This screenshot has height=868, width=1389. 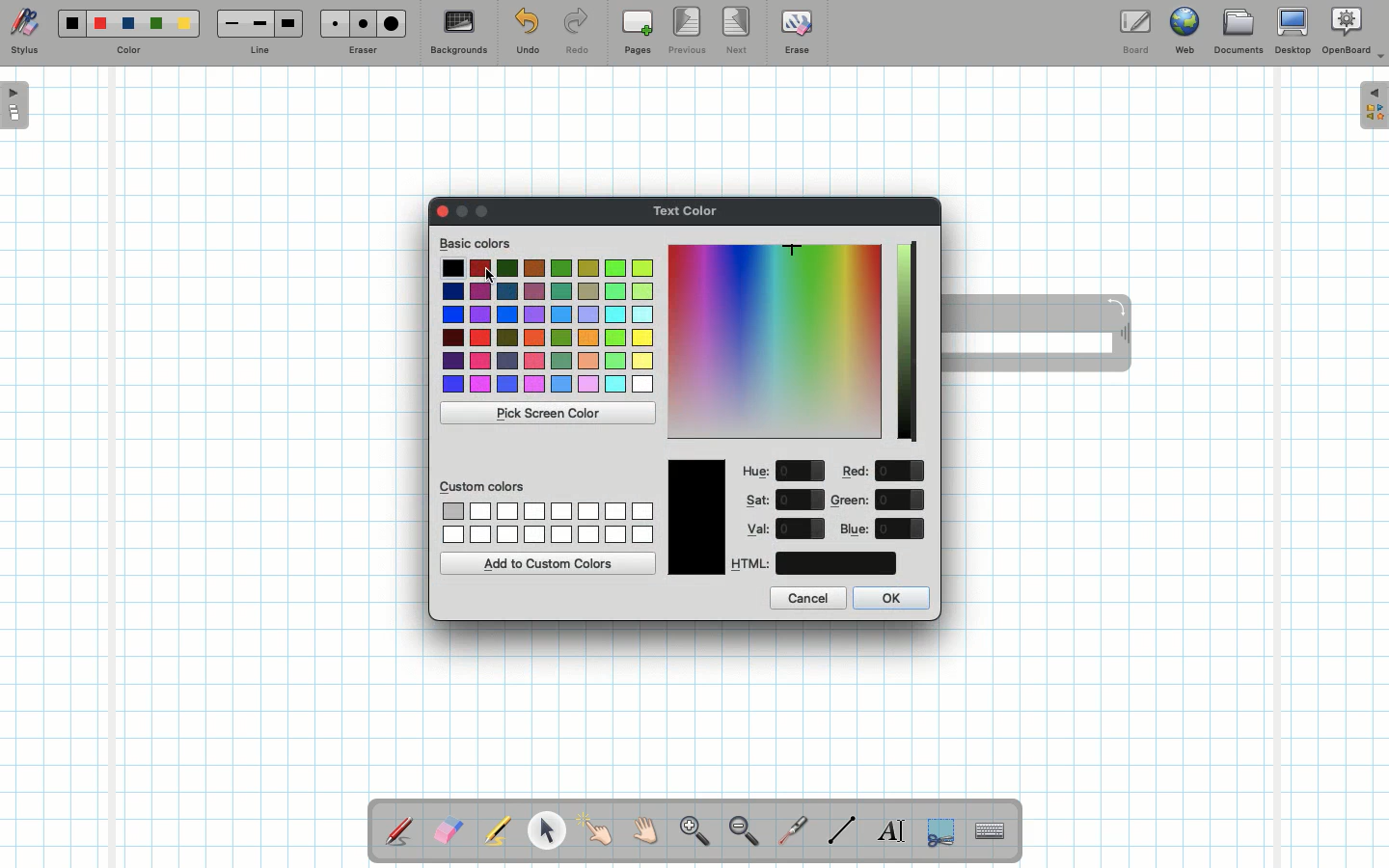 I want to click on value, so click(x=900, y=529).